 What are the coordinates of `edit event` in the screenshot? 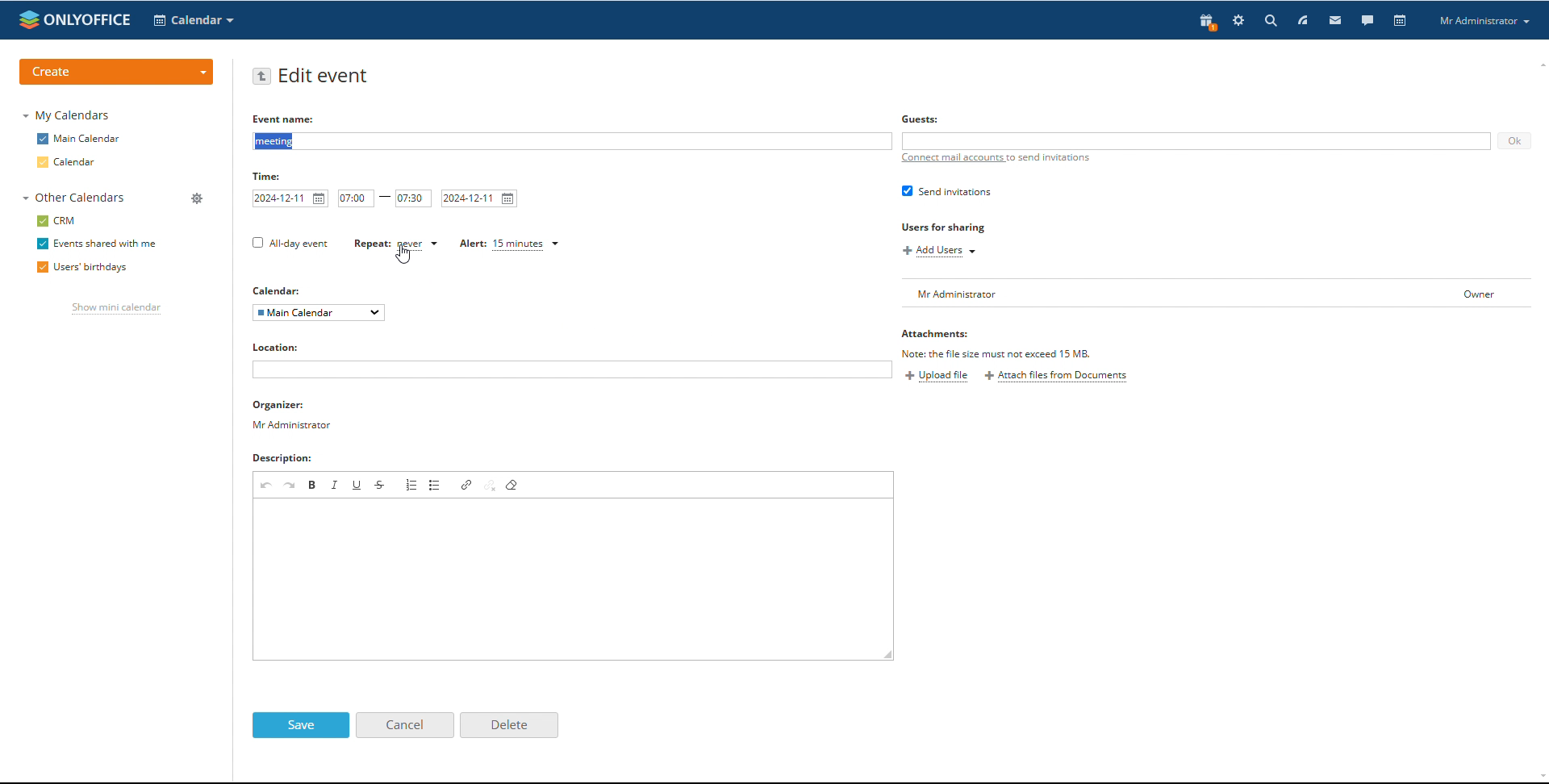 It's located at (324, 77).